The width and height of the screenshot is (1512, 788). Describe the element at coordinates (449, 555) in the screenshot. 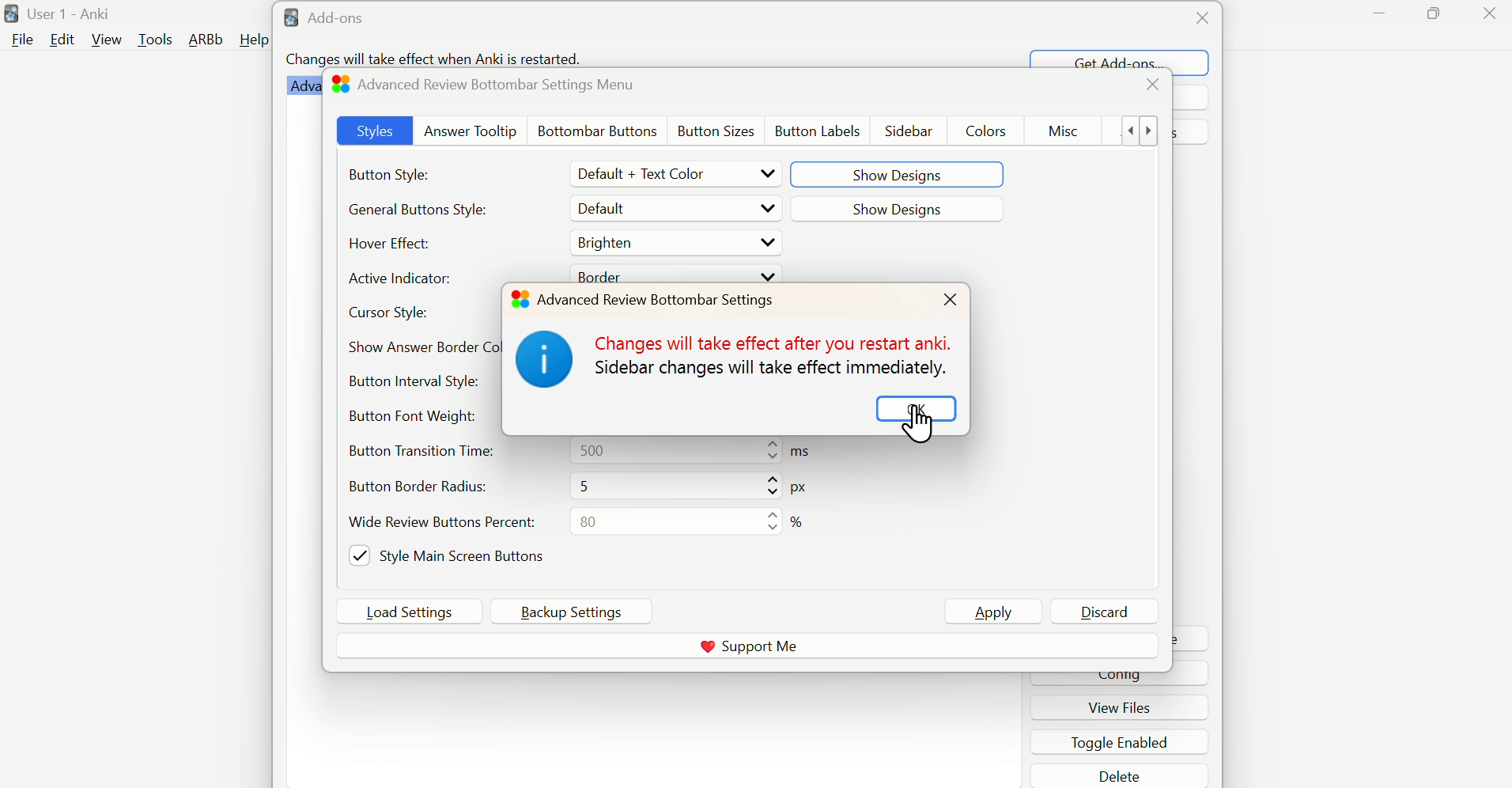

I see `Style Main Screen Buttons` at that location.